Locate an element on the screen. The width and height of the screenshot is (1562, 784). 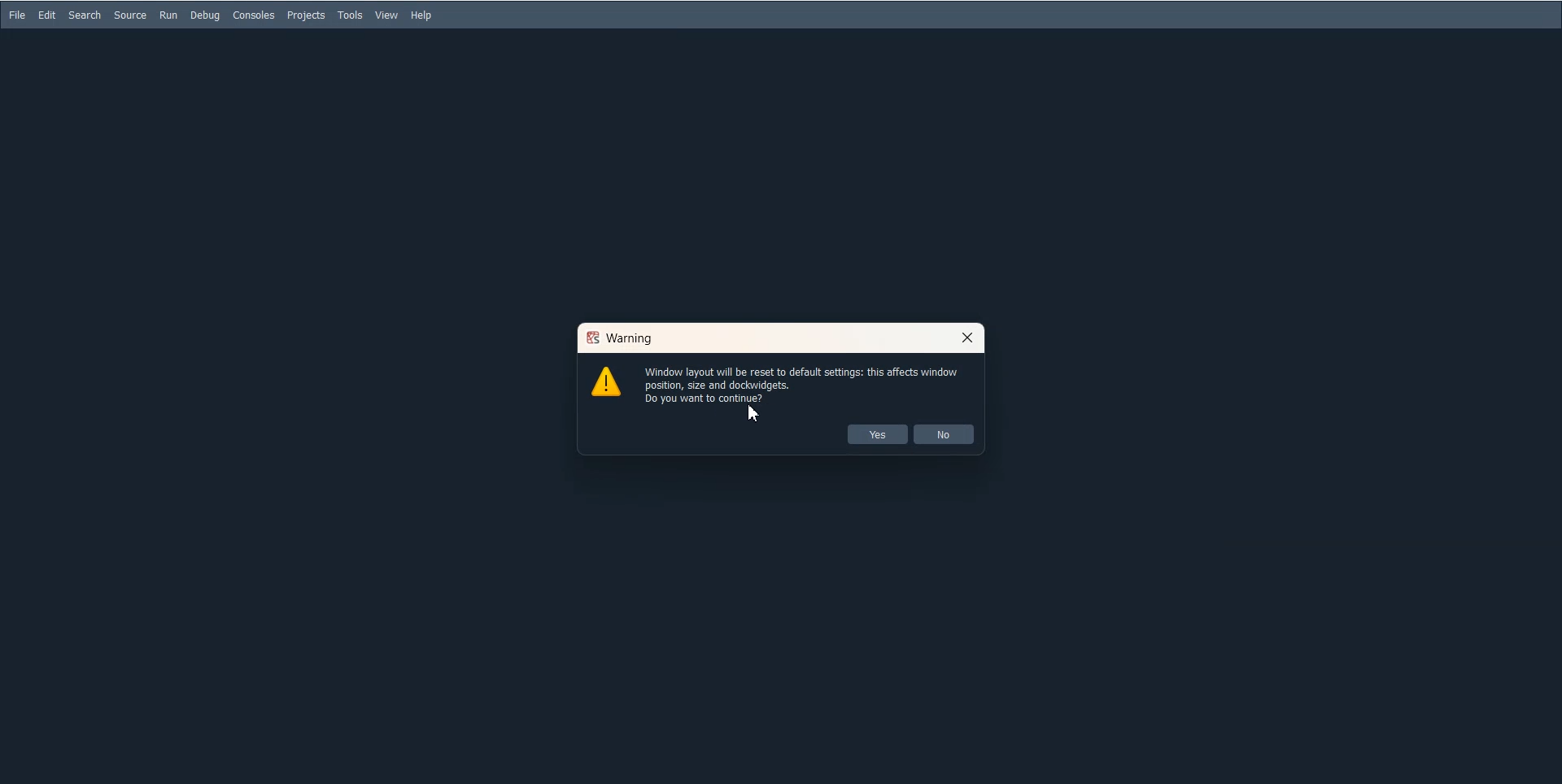
Edit is located at coordinates (47, 15).